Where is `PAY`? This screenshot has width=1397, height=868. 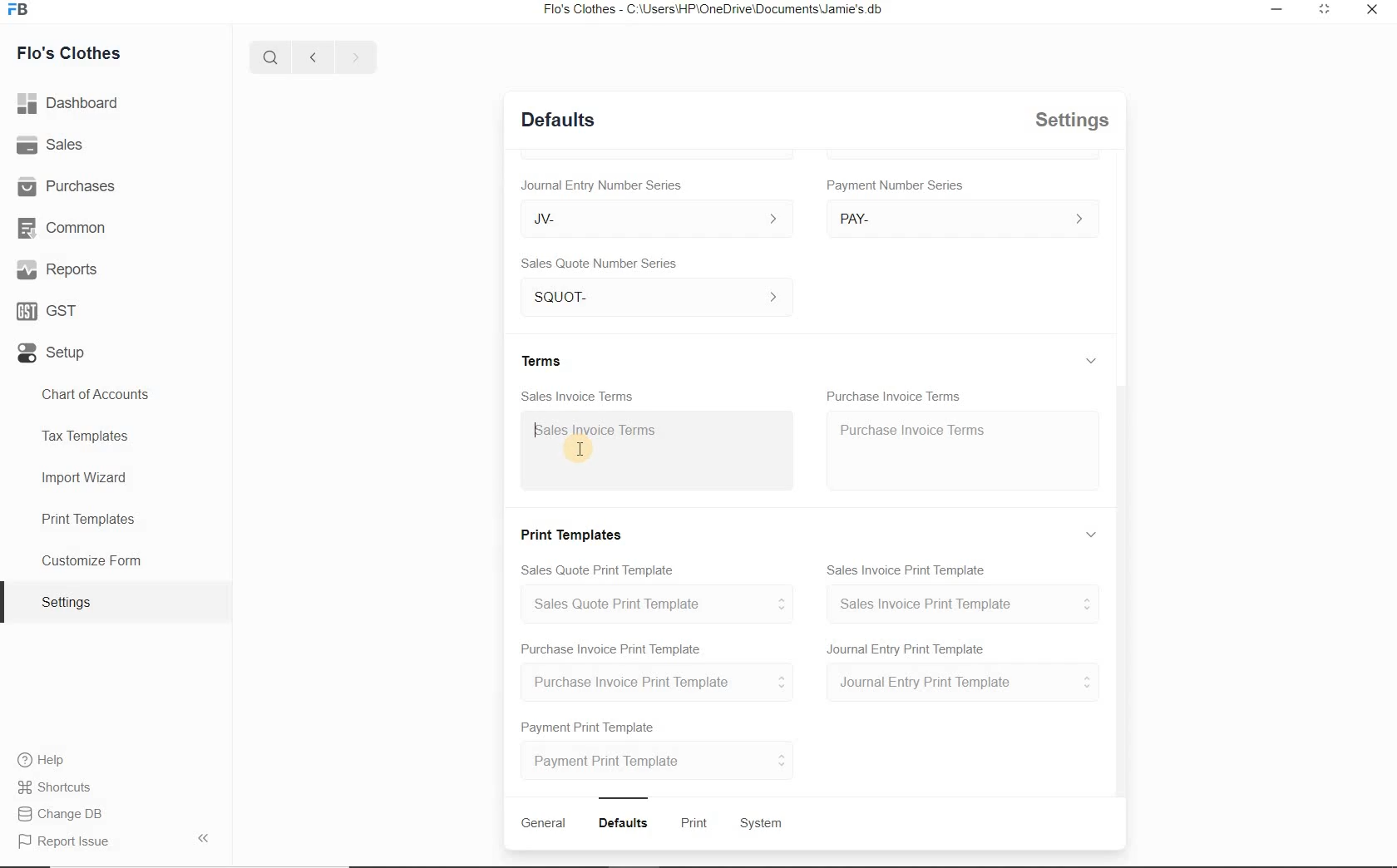
PAY is located at coordinates (963, 218).